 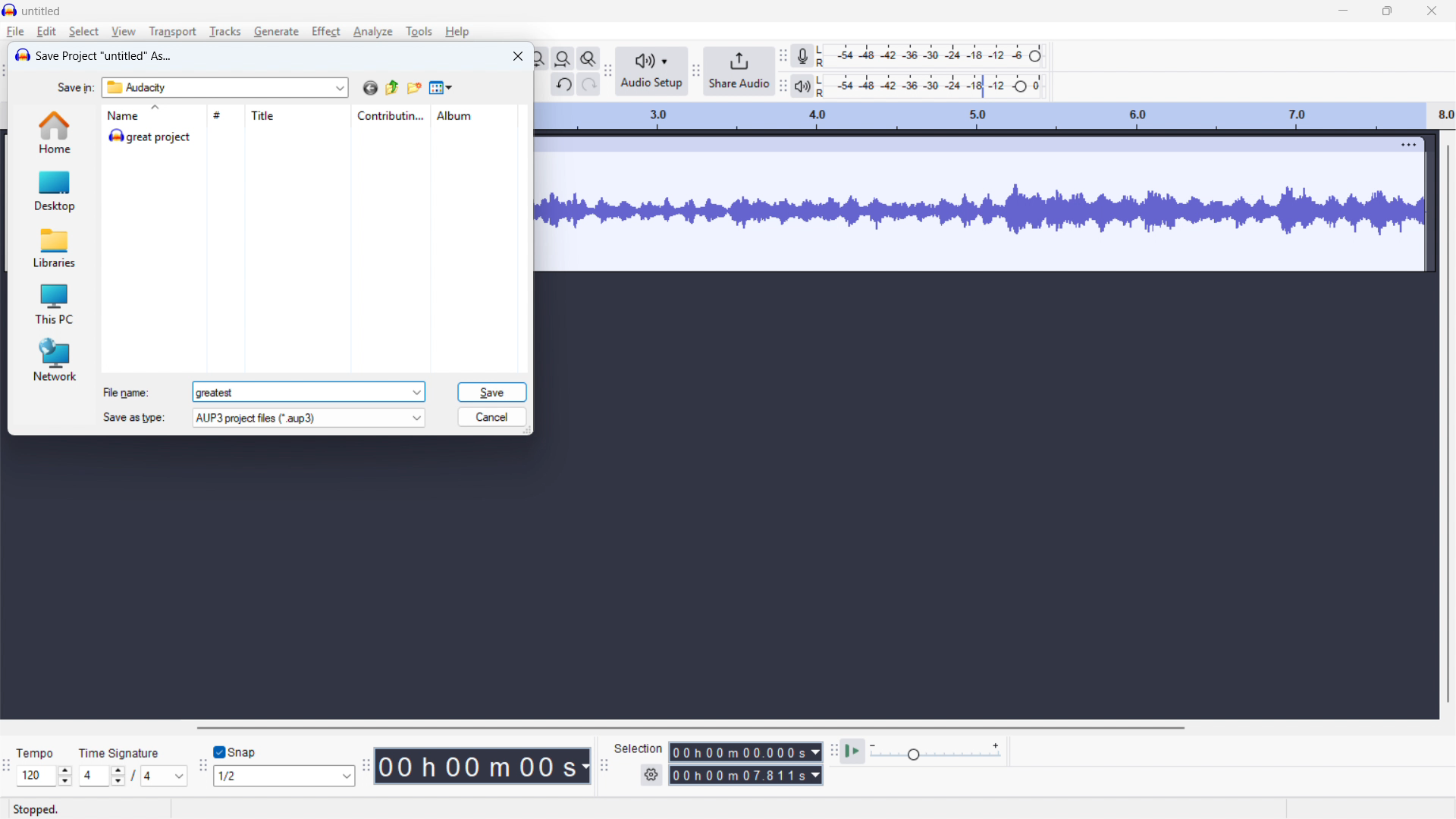 What do you see at coordinates (783, 55) in the screenshot?
I see `recording metre toolbar` at bounding box center [783, 55].